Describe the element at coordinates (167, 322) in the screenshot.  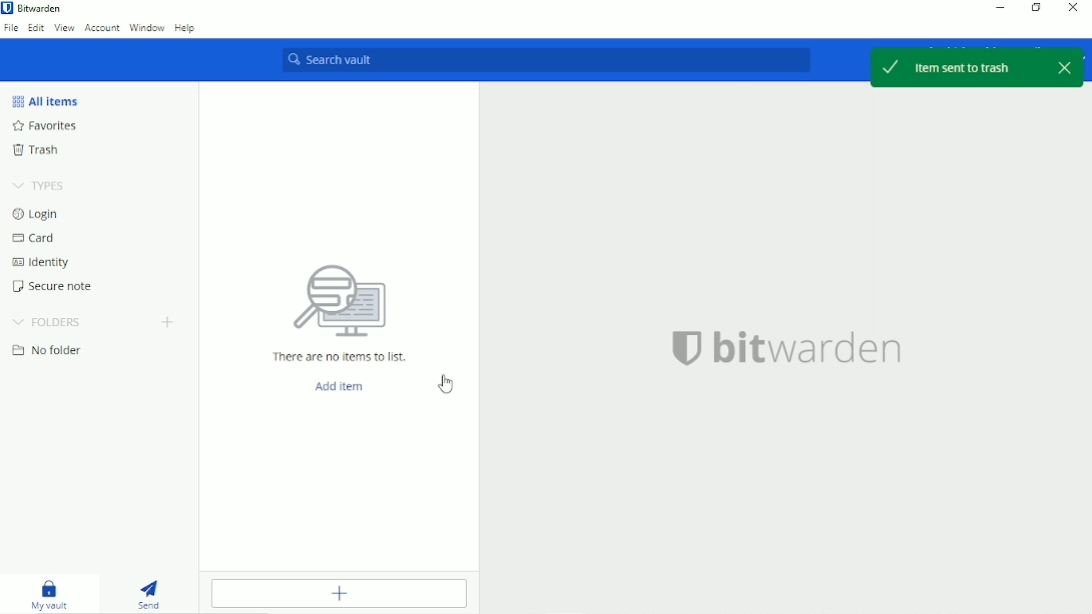
I see `Add folder` at that location.